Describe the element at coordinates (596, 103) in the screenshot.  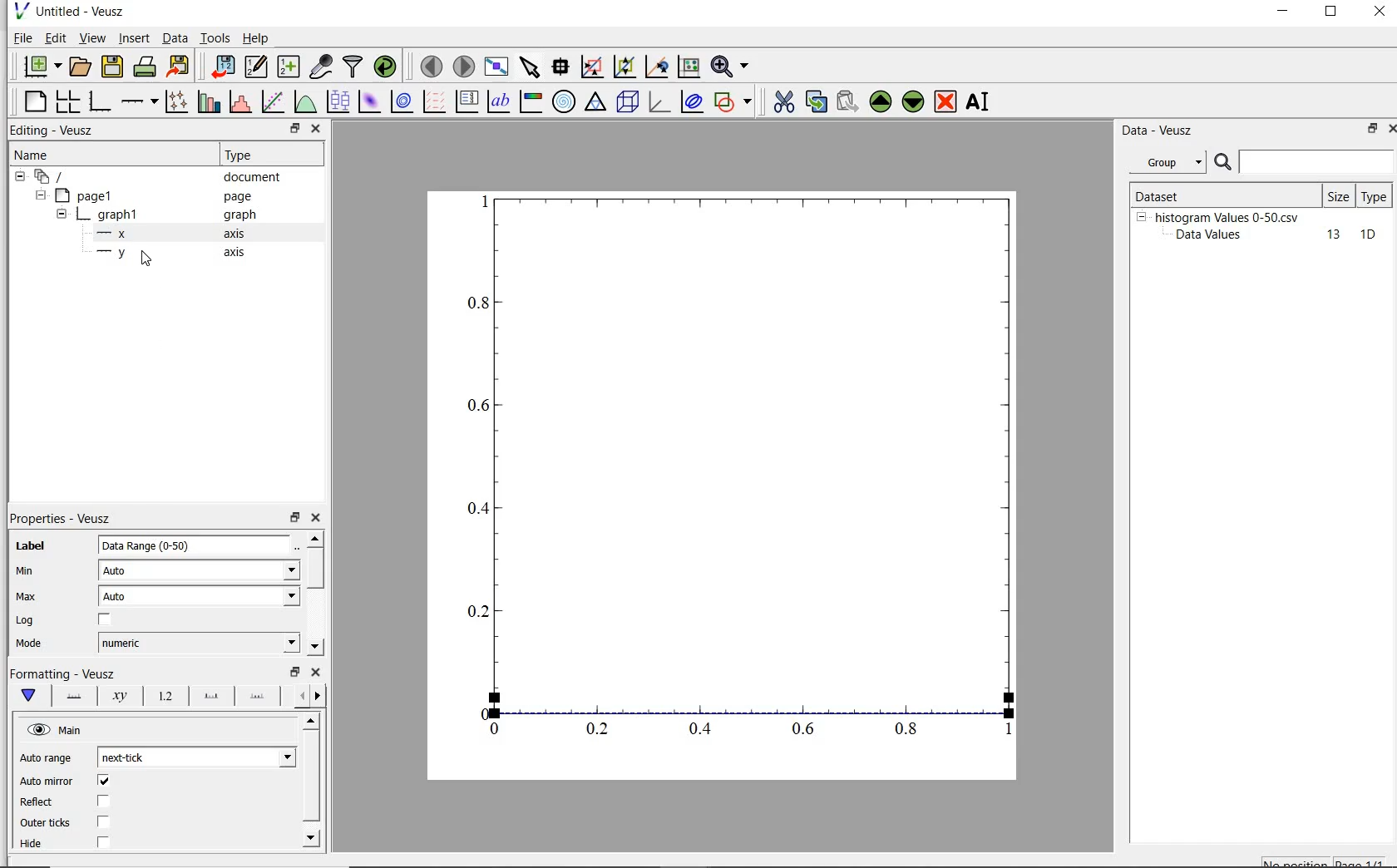
I see `ternary graph` at that location.